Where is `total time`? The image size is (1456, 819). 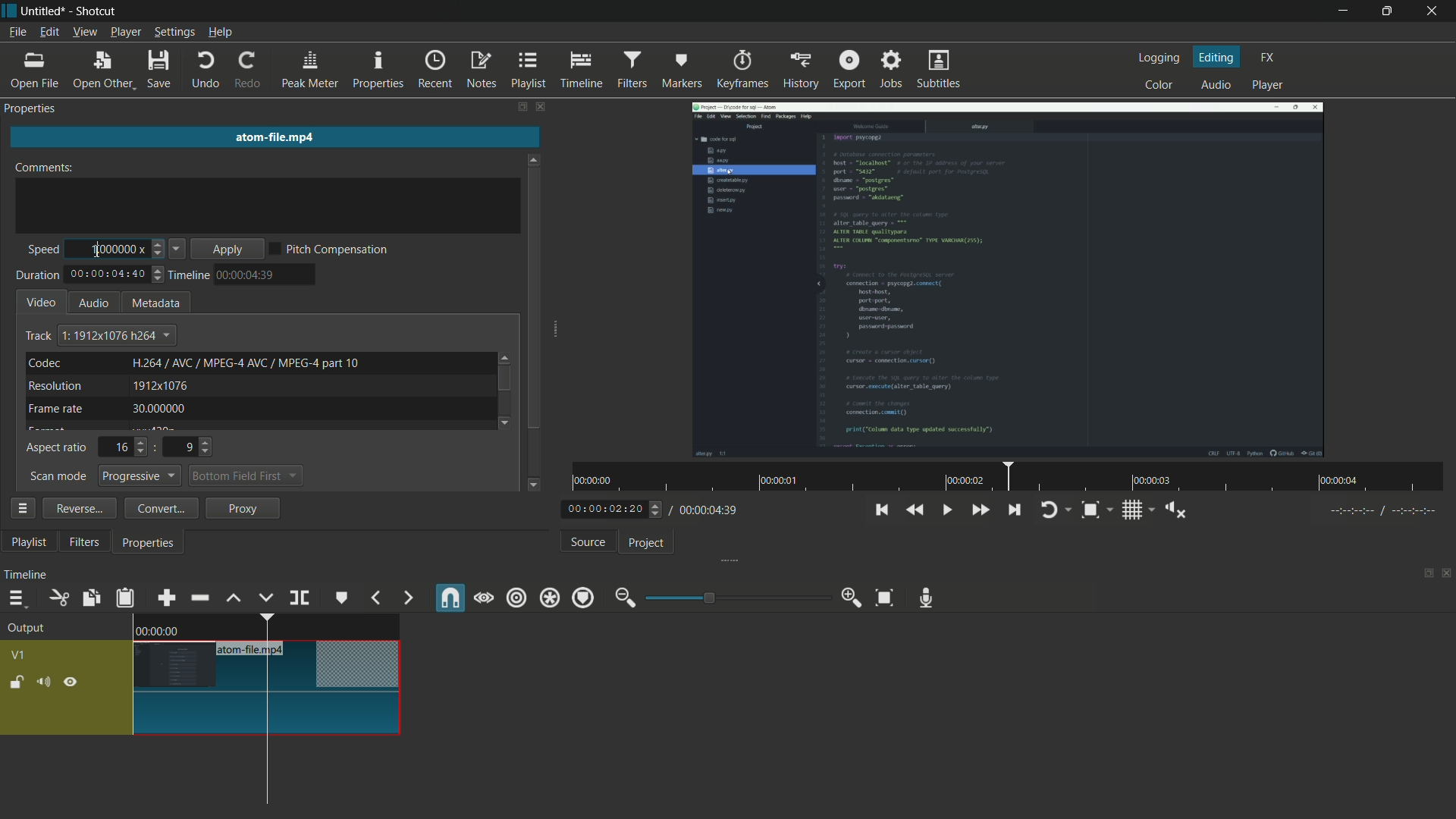
total time is located at coordinates (108, 275).